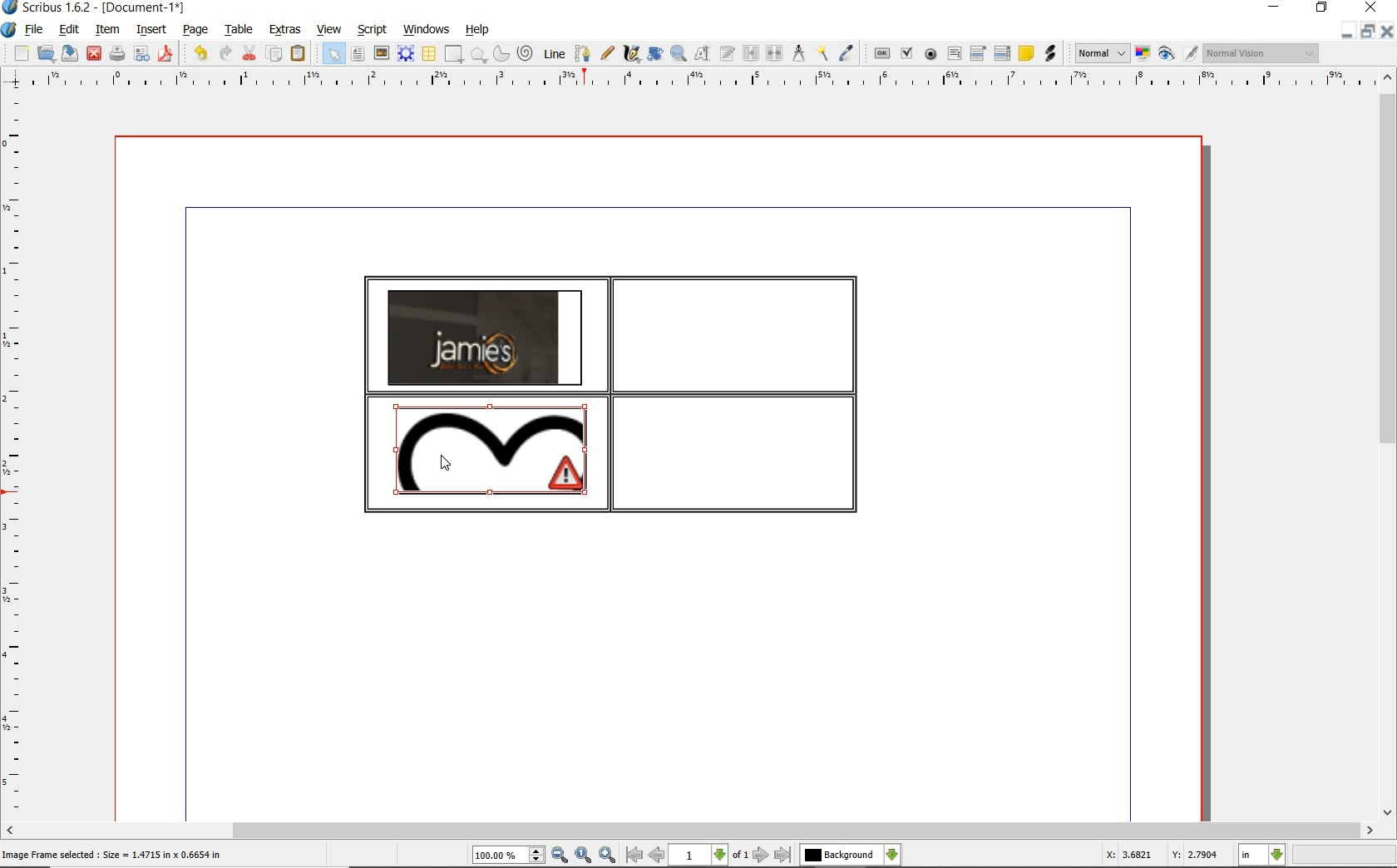  I want to click on render frame, so click(406, 52).